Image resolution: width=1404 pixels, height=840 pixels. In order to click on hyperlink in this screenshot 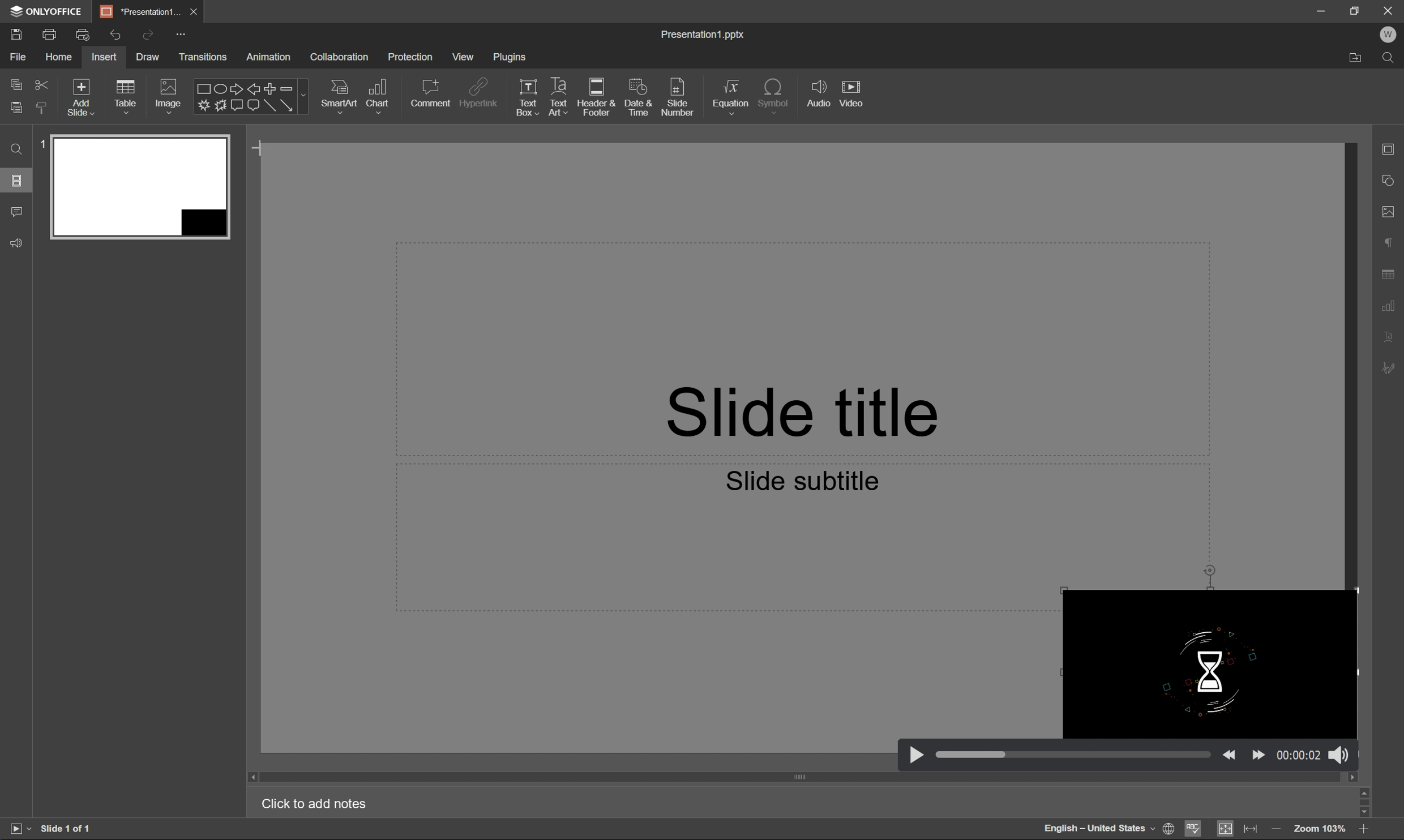, I will do `click(483, 92)`.